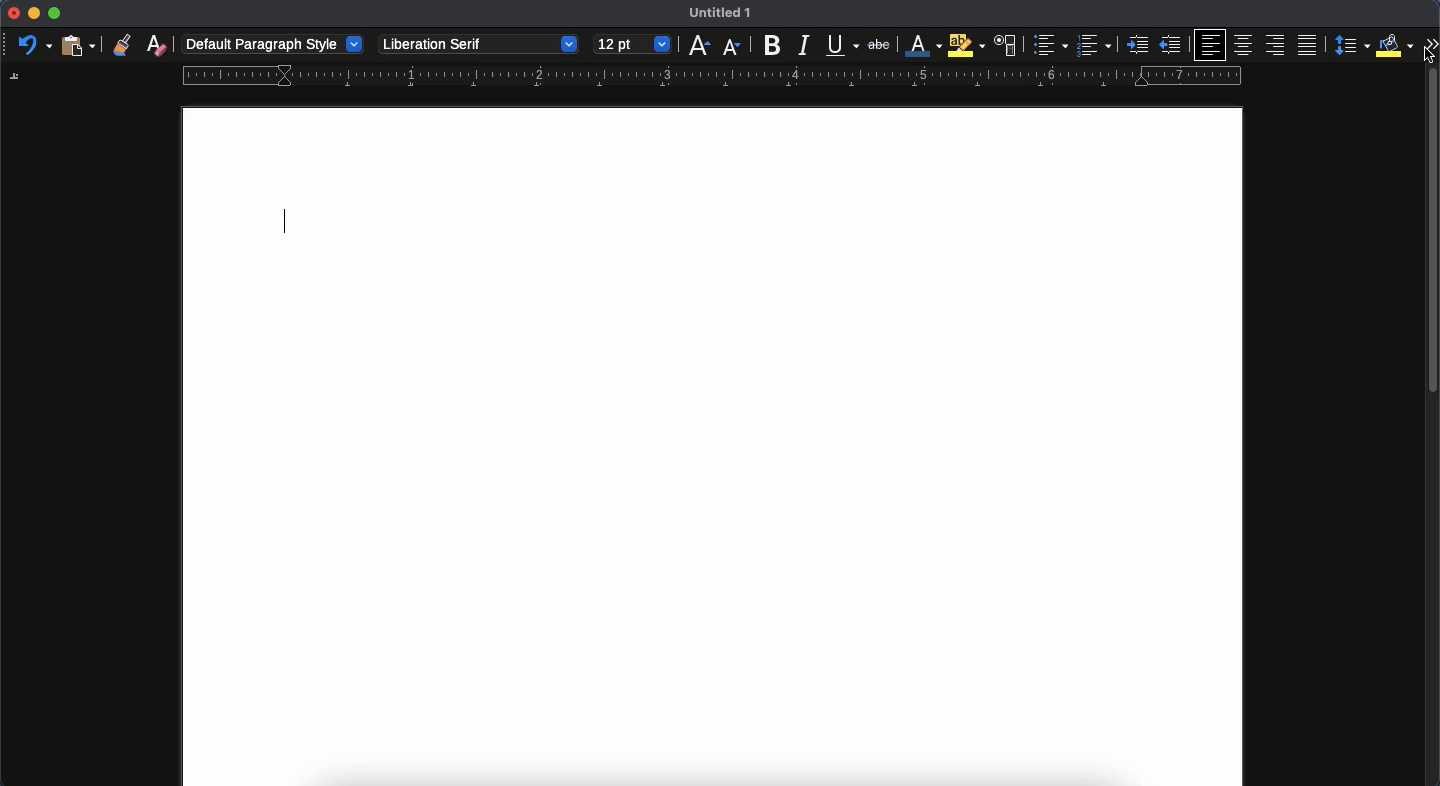 This screenshot has width=1440, height=786. Describe the element at coordinates (1093, 46) in the screenshot. I see `number bullet` at that location.